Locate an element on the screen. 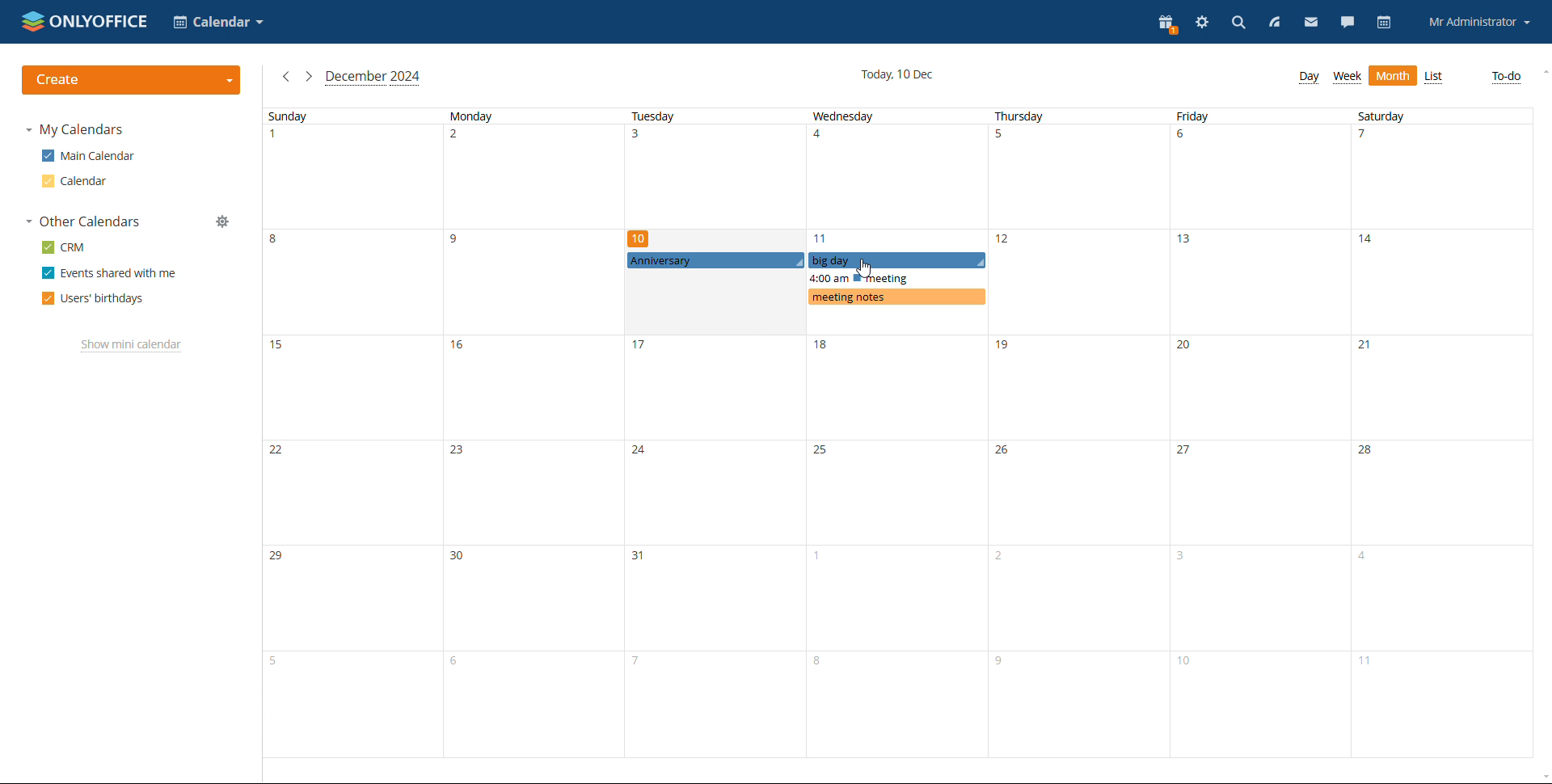  tuesday is located at coordinates (718, 435).